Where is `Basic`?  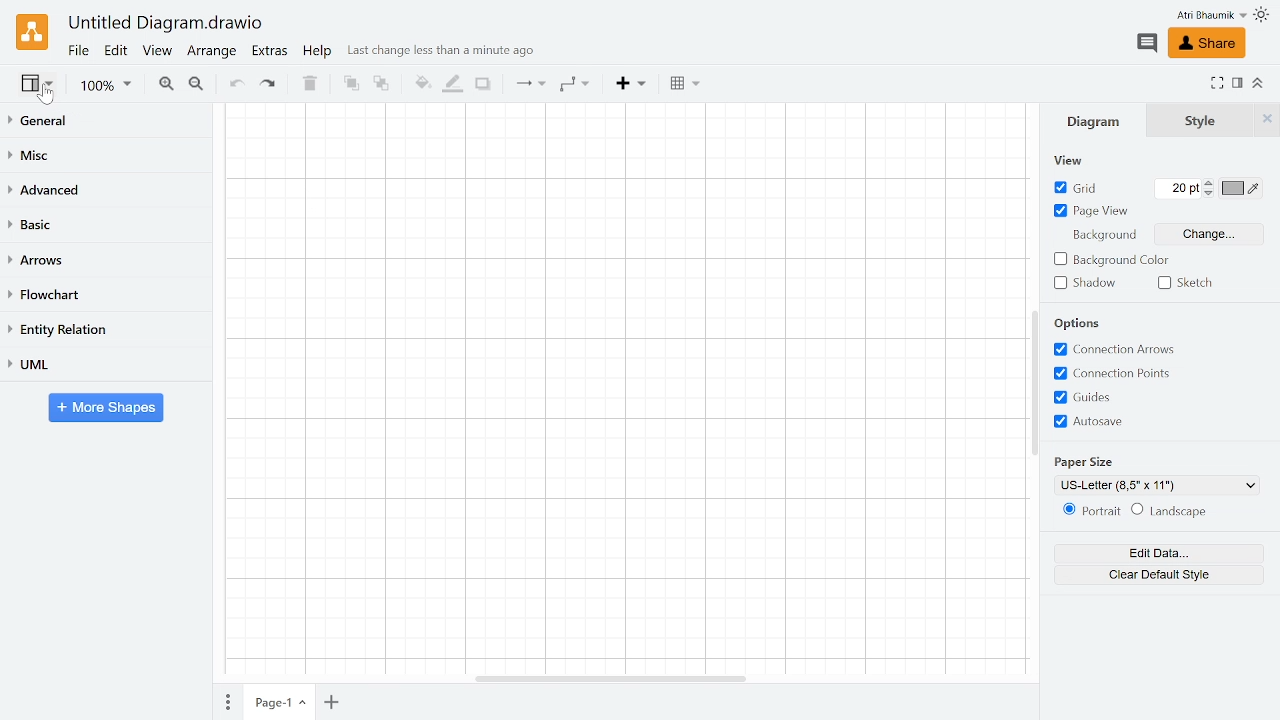 Basic is located at coordinates (103, 225).